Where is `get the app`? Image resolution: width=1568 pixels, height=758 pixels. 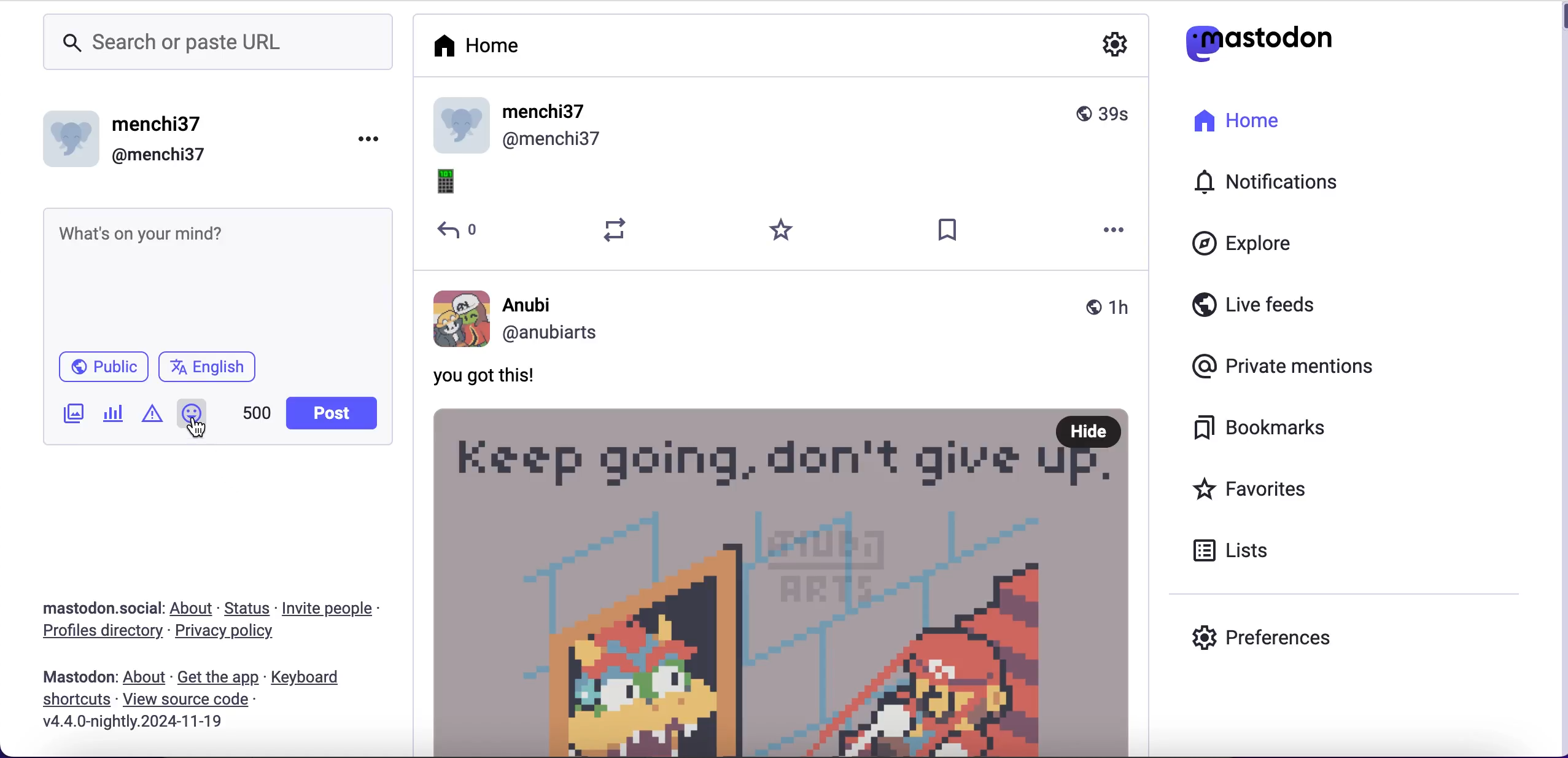
get the app is located at coordinates (220, 679).